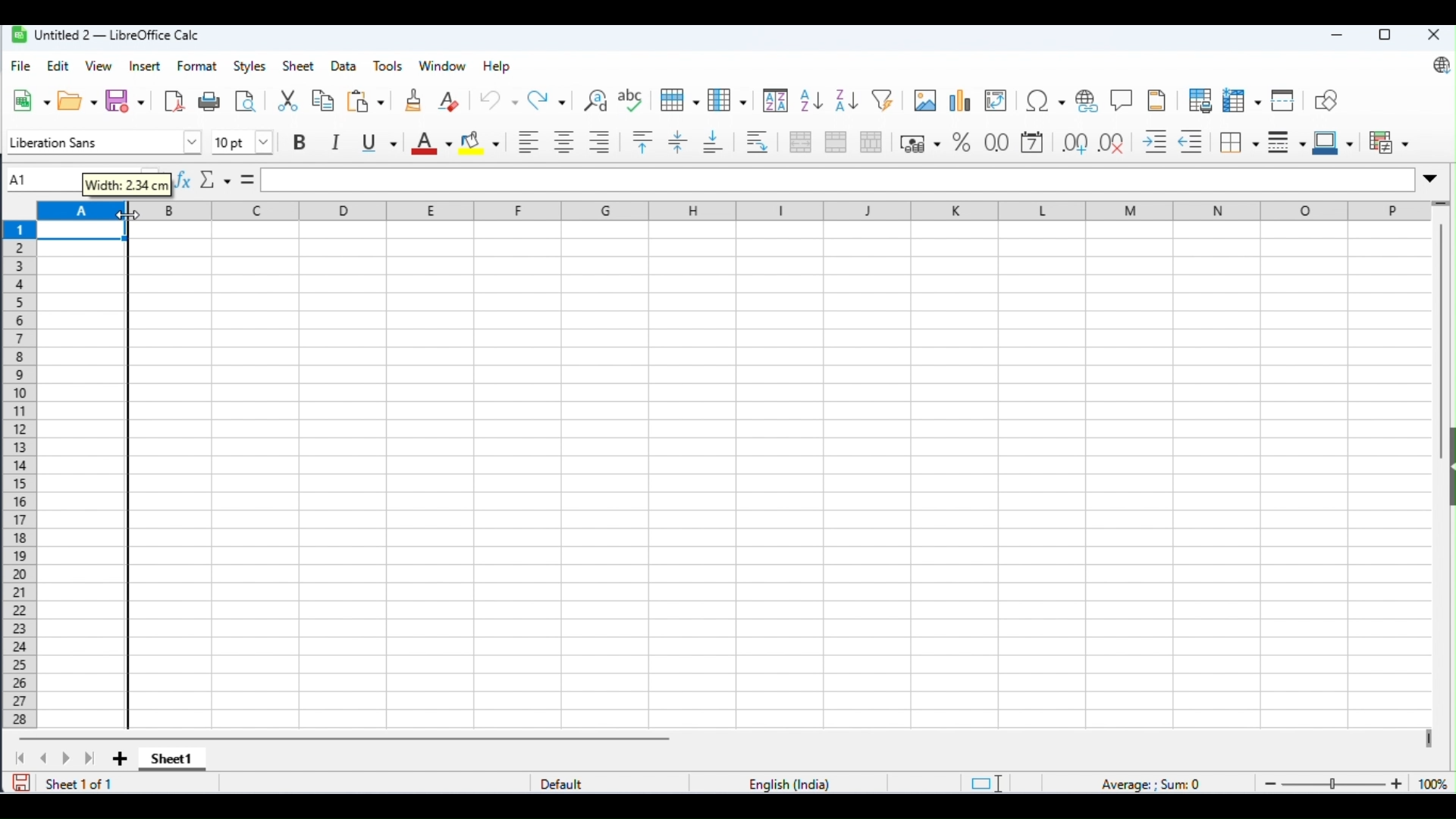 The width and height of the screenshot is (1456, 819). What do you see at coordinates (1428, 736) in the screenshot?
I see `drag to view next columns` at bounding box center [1428, 736].